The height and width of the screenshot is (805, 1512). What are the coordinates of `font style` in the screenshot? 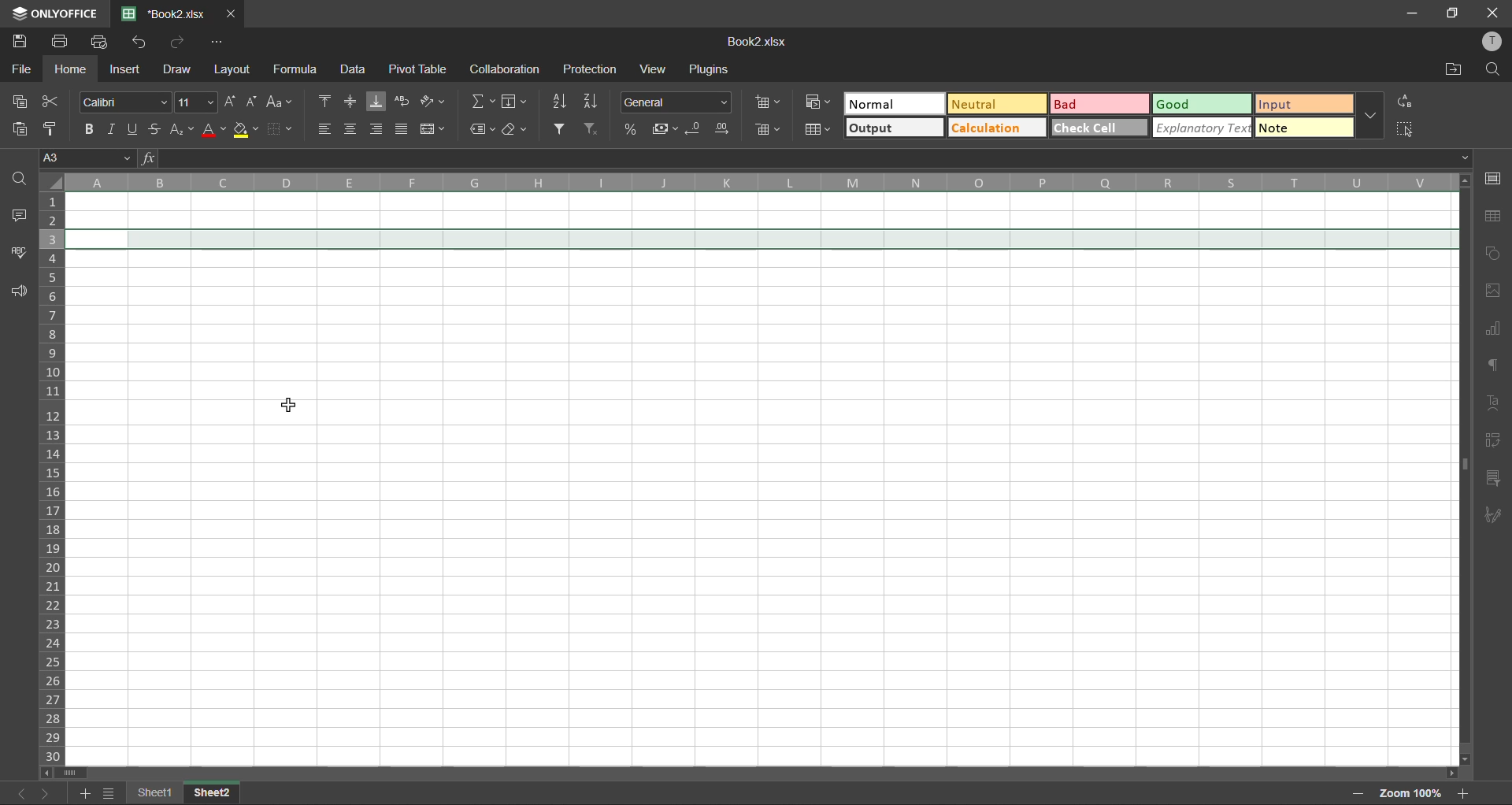 It's located at (127, 102).